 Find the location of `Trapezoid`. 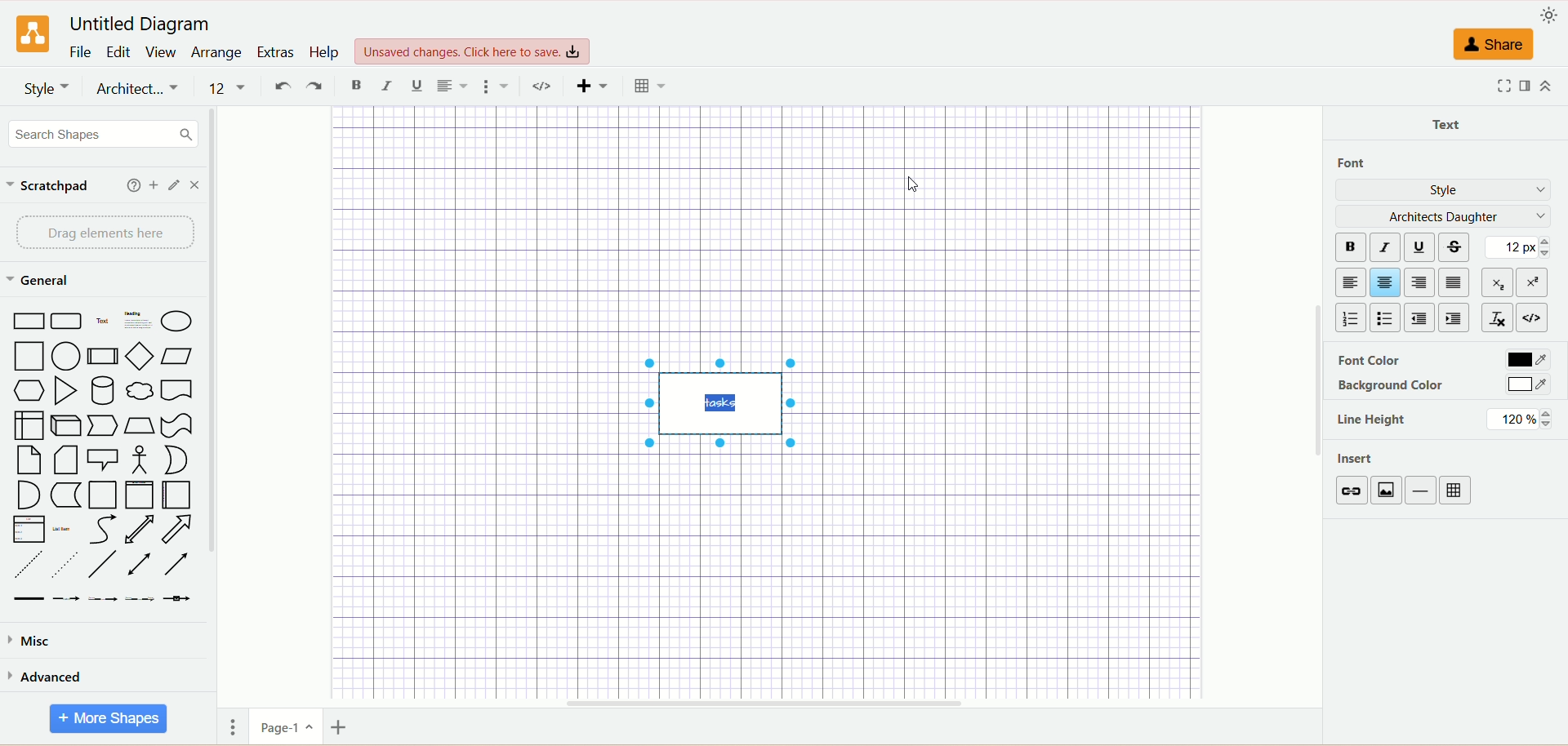

Trapezoid is located at coordinates (141, 426).